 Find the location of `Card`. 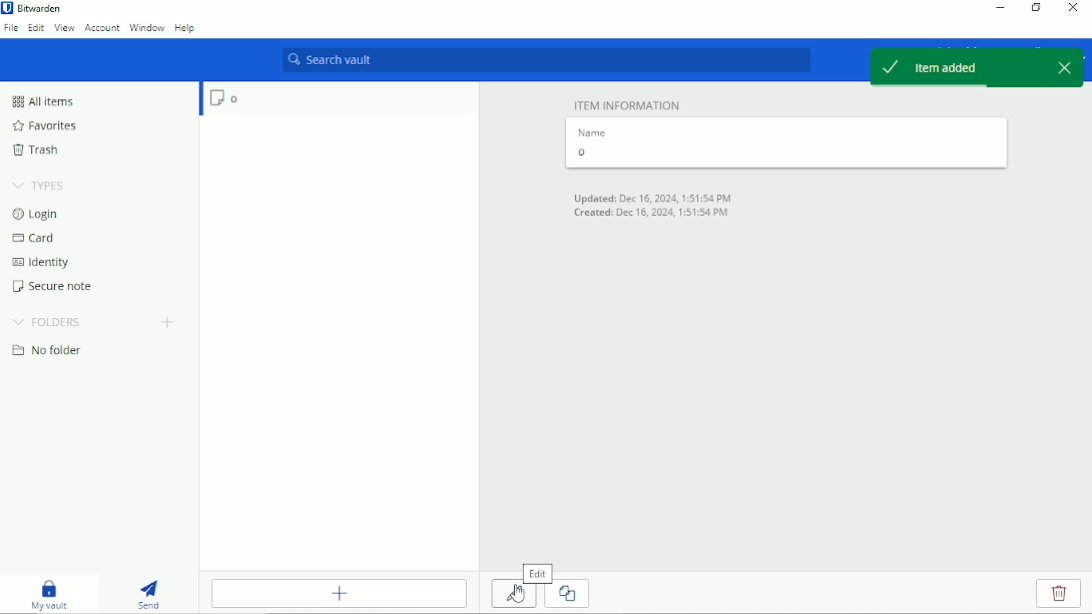

Card is located at coordinates (33, 239).